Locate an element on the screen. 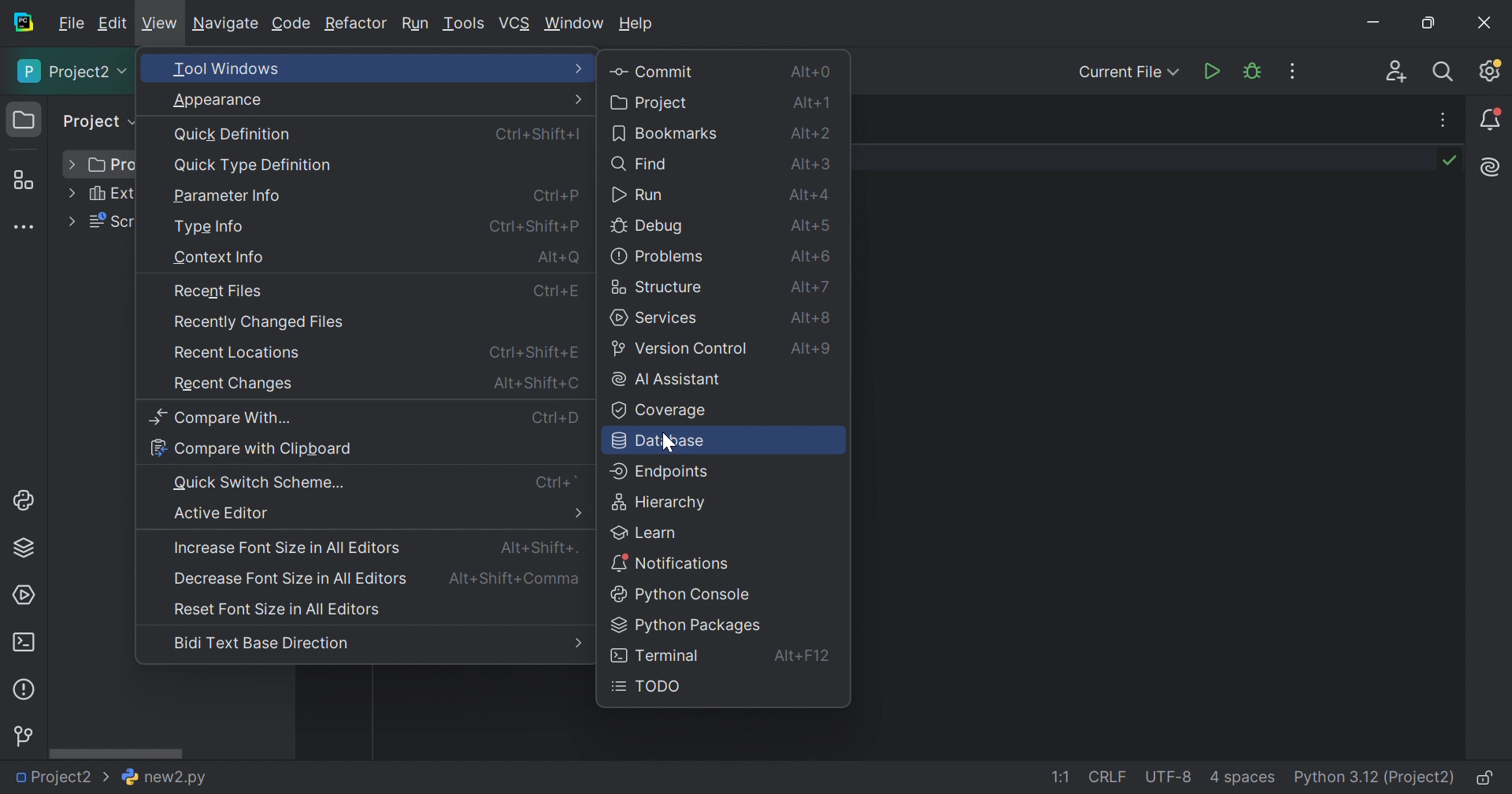 This screenshot has height=794, width=1512. Run is located at coordinates (1210, 71).